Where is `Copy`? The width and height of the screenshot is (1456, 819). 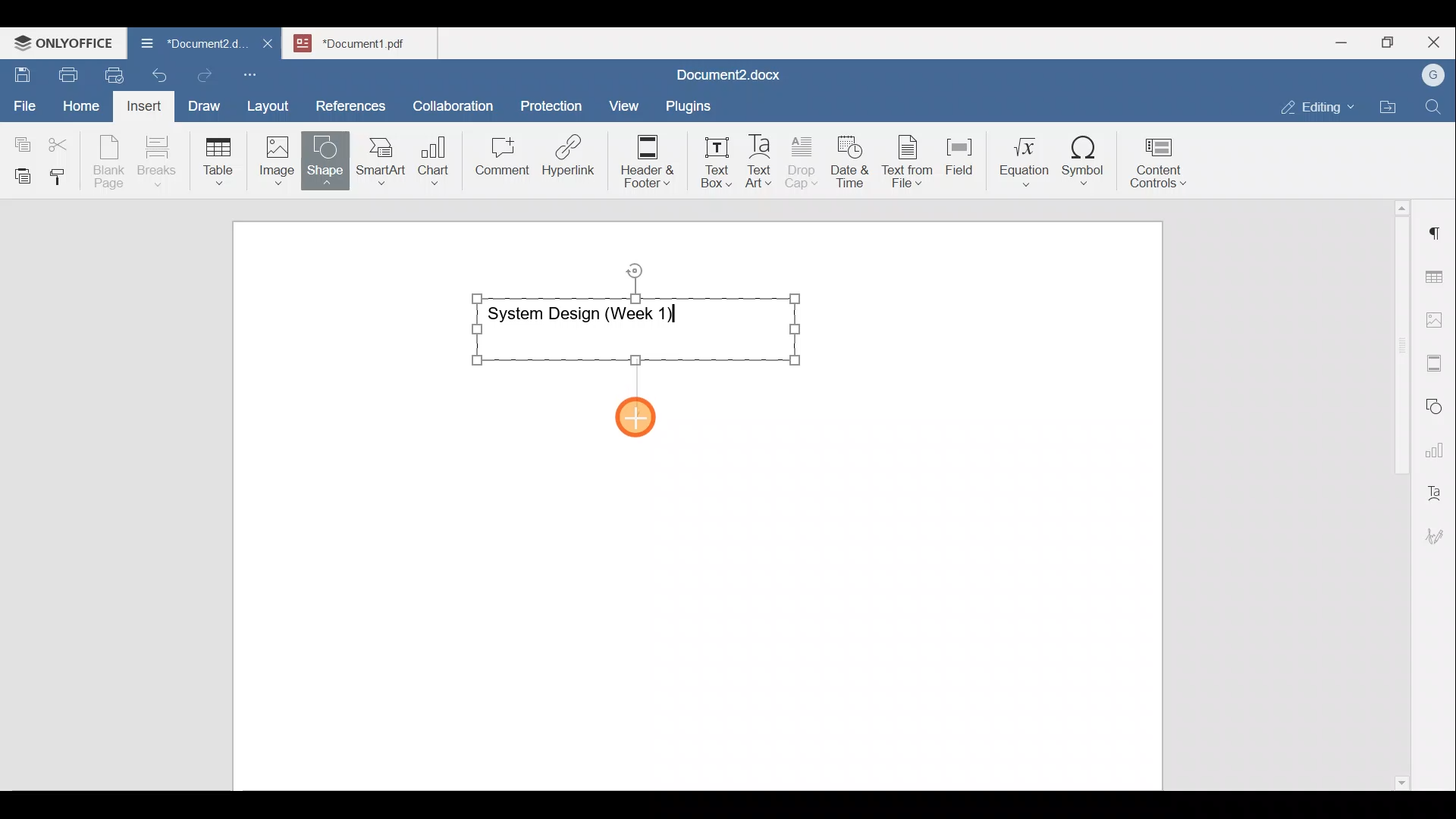
Copy is located at coordinates (20, 140).